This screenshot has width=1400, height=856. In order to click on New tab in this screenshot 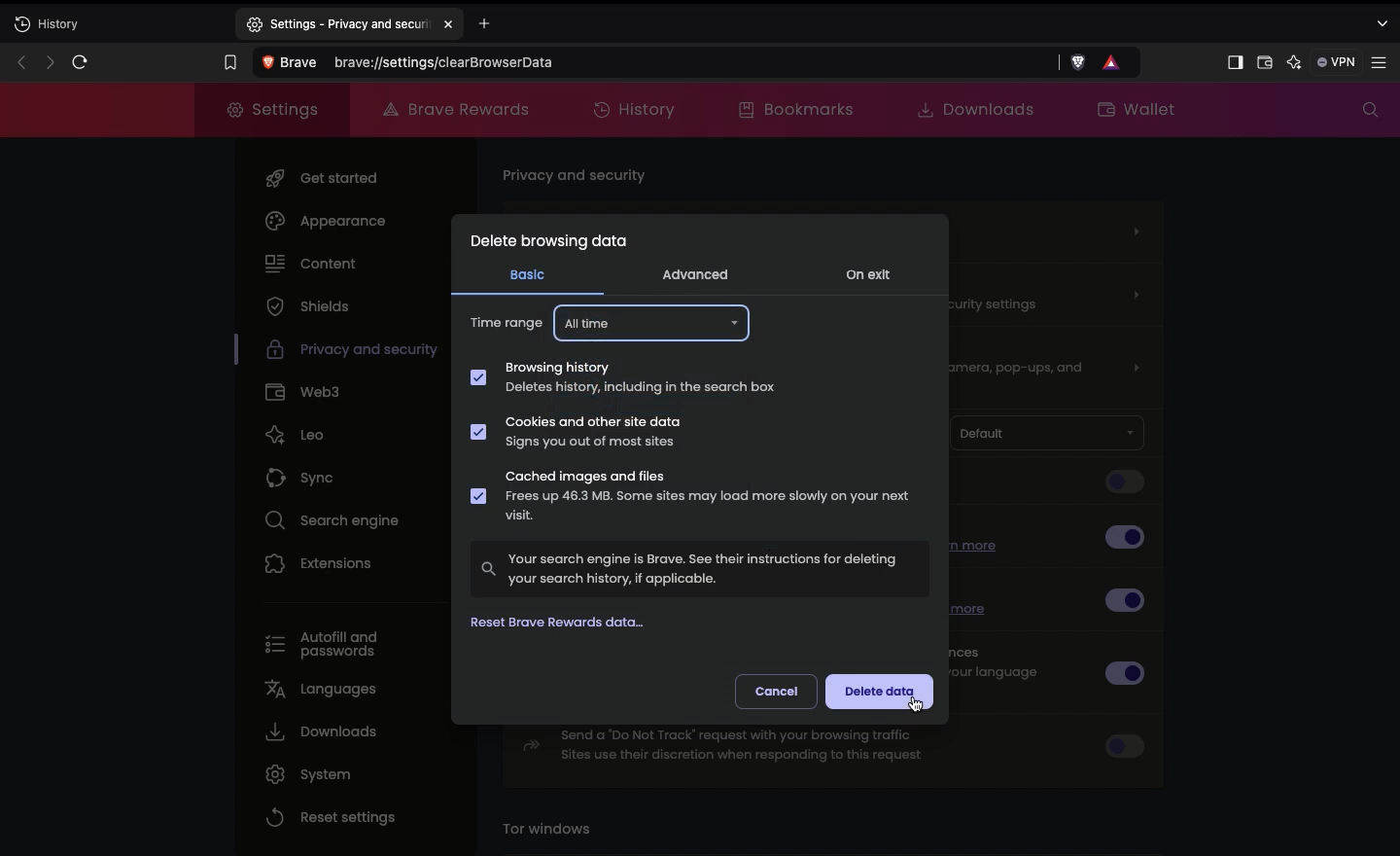, I will do `click(116, 26)`.